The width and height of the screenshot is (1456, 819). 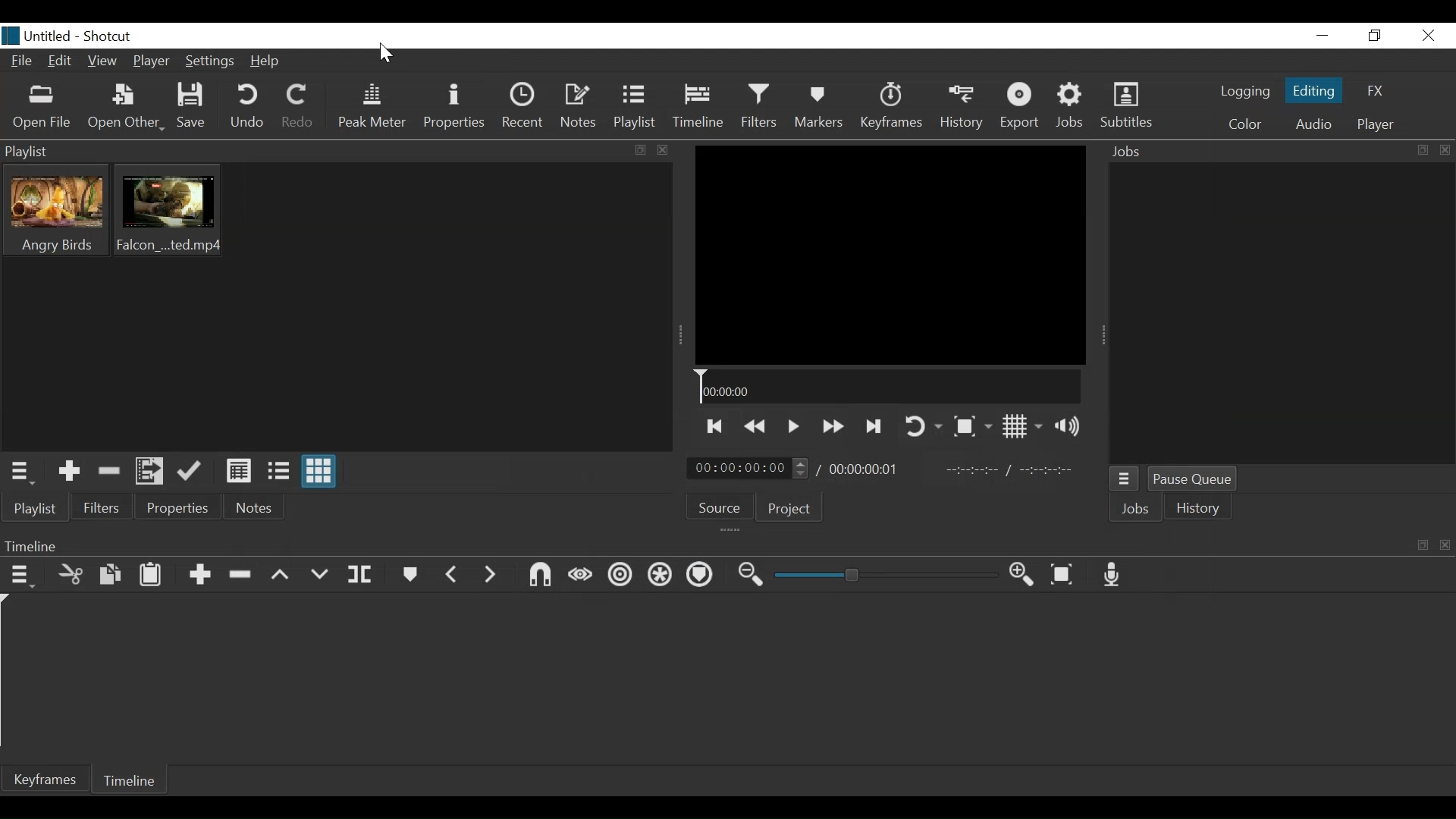 What do you see at coordinates (1009, 470) in the screenshot?
I see `In Point` at bounding box center [1009, 470].